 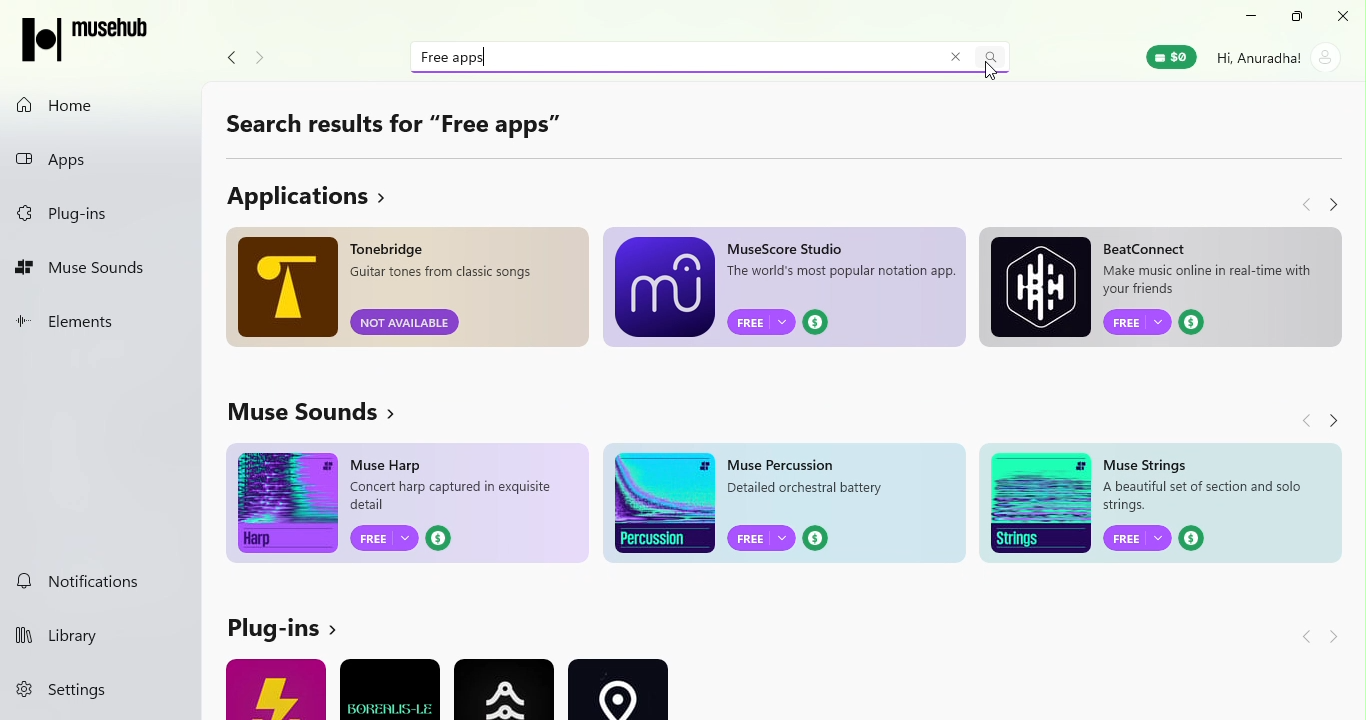 I want to click on MuseHub, so click(x=93, y=38).